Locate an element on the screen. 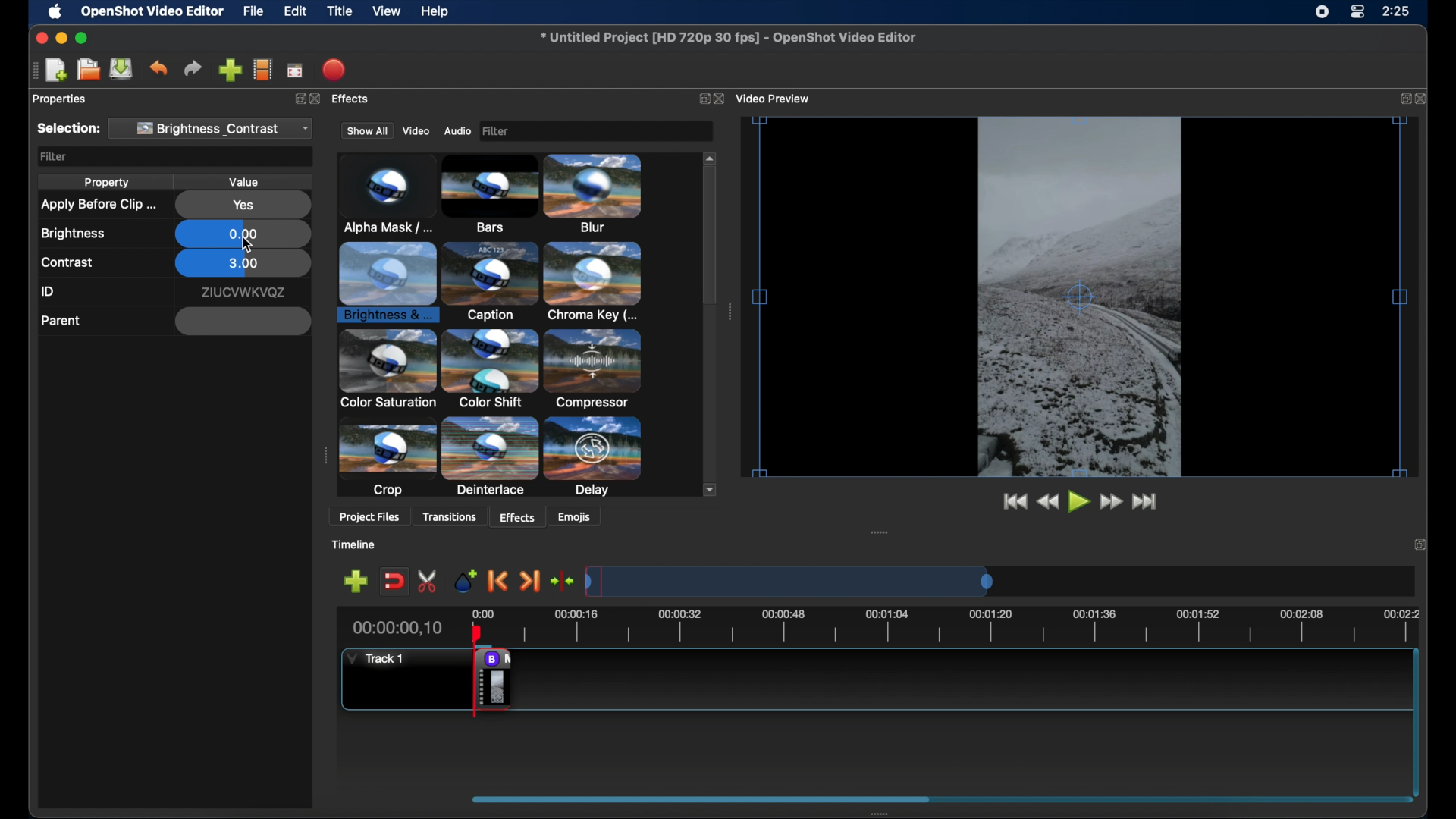 The image size is (1456, 819). expand is located at coordinates (1403, 99).